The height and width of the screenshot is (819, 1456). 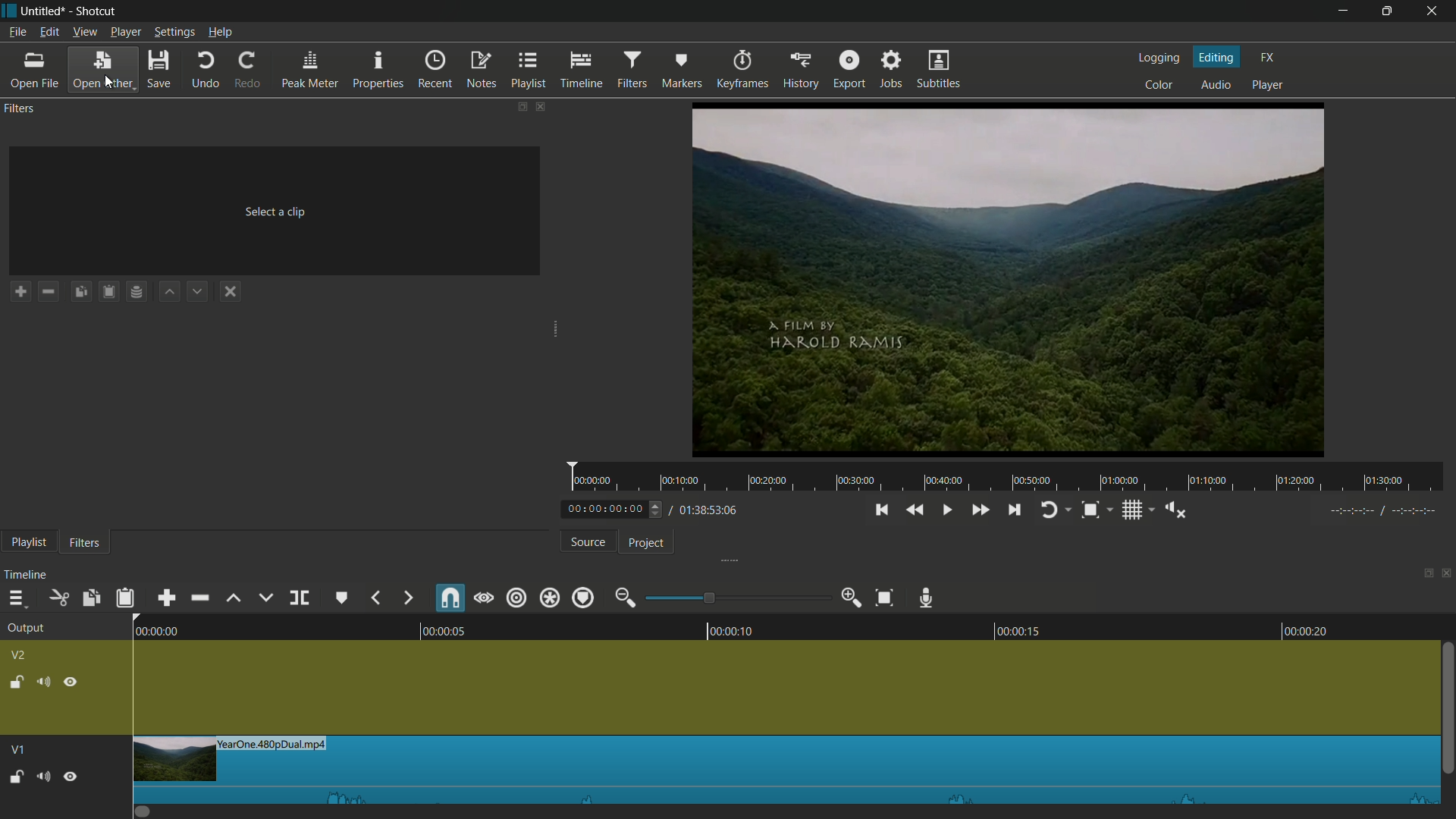 What do you see at coordinates (680, 71) in the screenshot?
I see `markers` at bounding box center [680, 71].